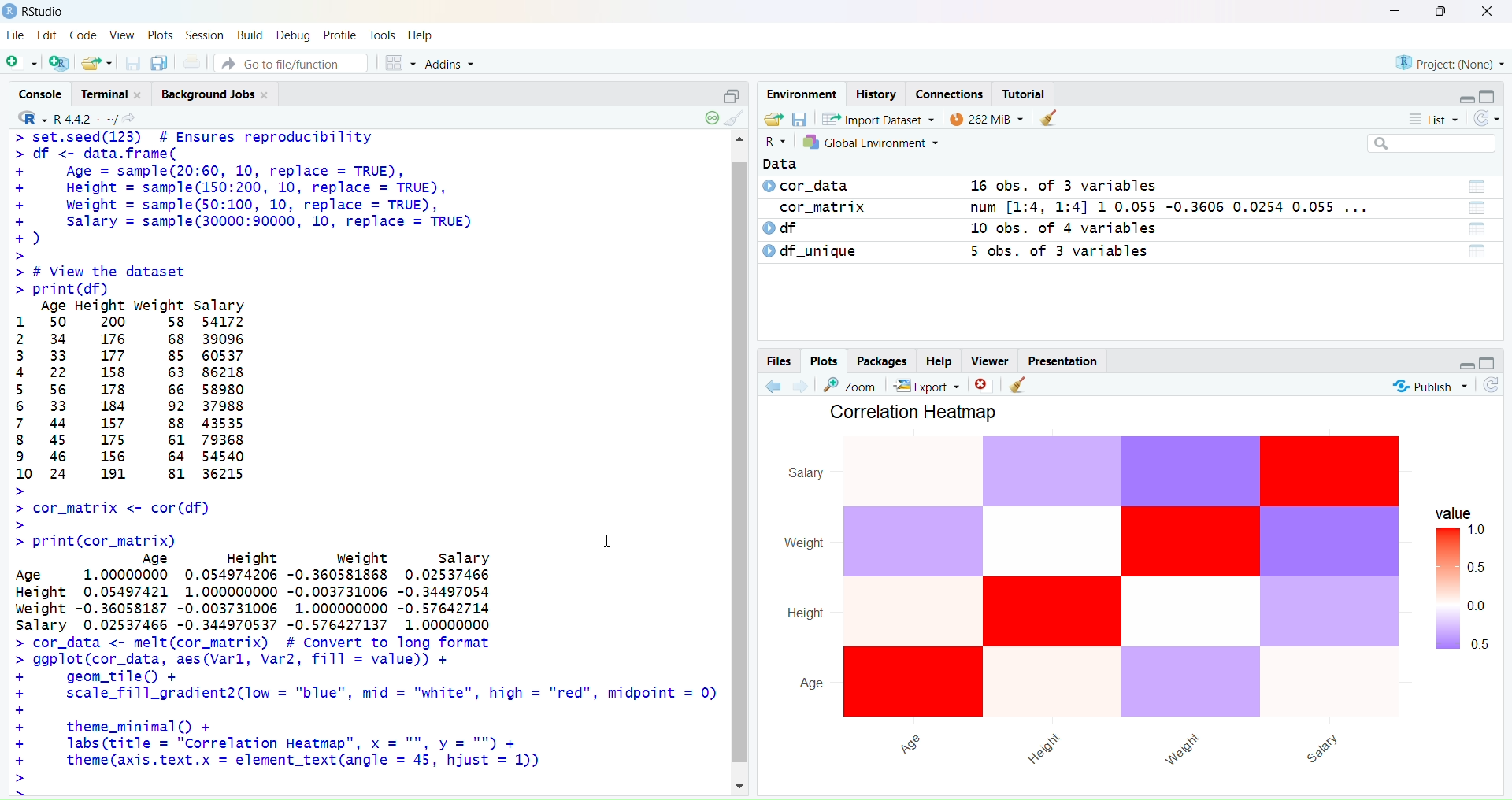  What do you see at coordinates (217, 95) in the screenshot?
I see `Background jobs` at bounding box center [217, 95].